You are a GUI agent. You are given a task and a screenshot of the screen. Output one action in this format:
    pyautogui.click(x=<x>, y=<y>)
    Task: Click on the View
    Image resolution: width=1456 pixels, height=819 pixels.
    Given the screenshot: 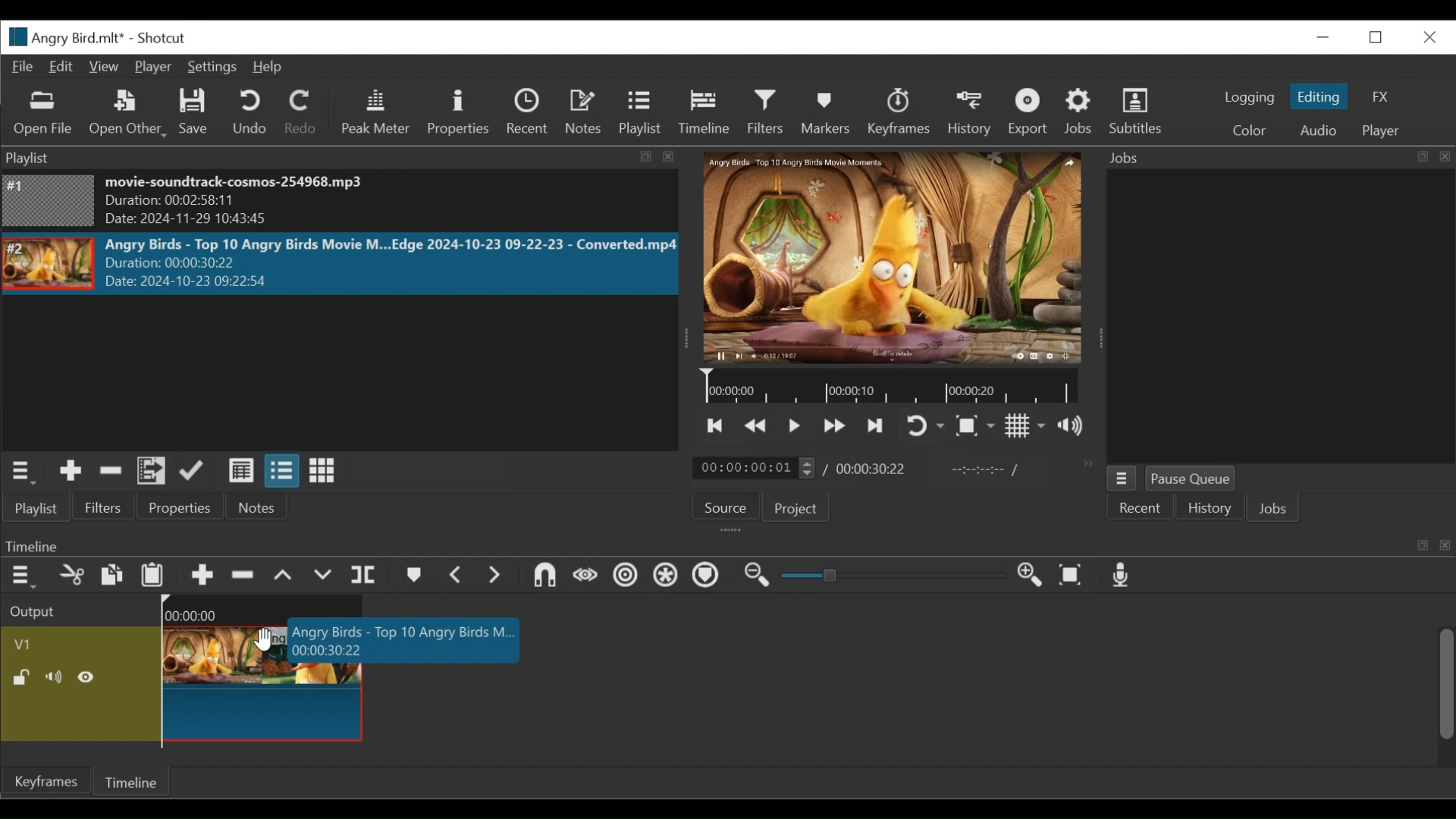 What is the action you would take?
    pyautogui.click(x=104, y=66)
    